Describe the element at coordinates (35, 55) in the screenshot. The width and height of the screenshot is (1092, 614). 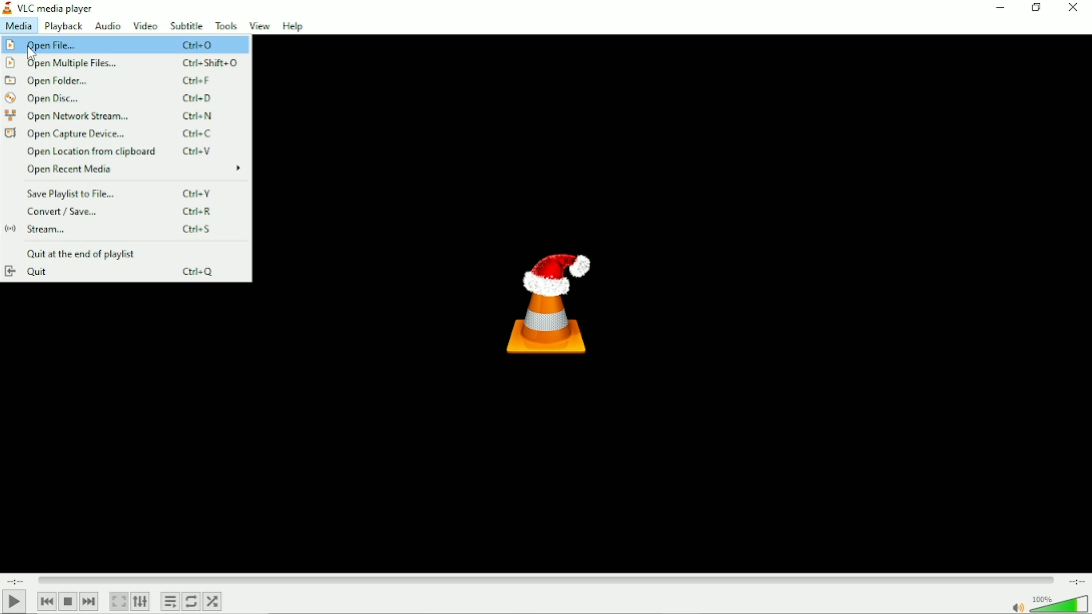
I see `cursor` at that location.